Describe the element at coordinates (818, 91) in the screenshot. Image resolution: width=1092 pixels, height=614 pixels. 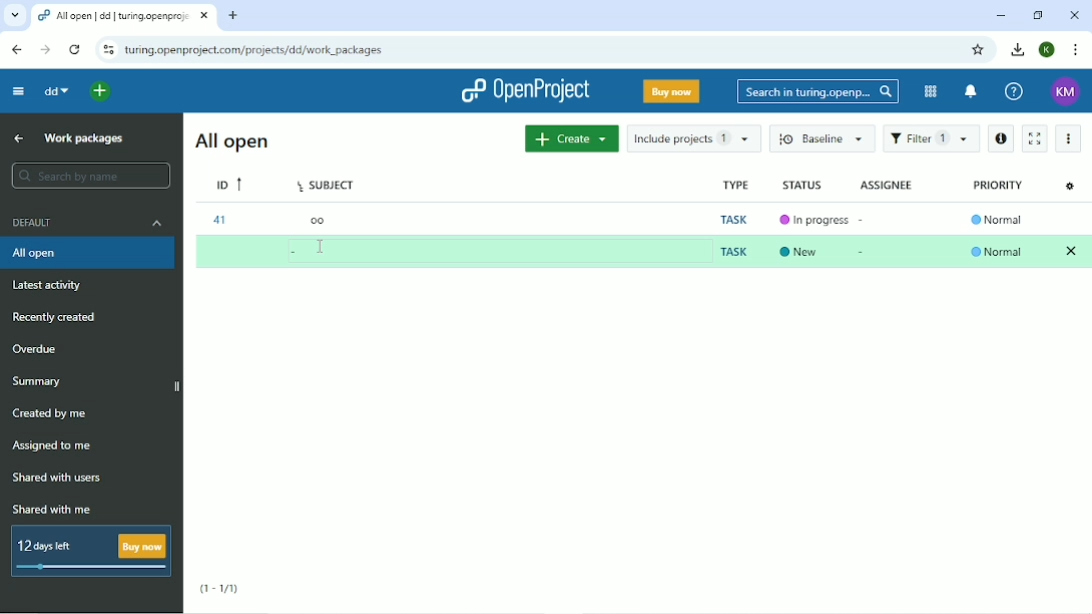
I see `Search` at that location.